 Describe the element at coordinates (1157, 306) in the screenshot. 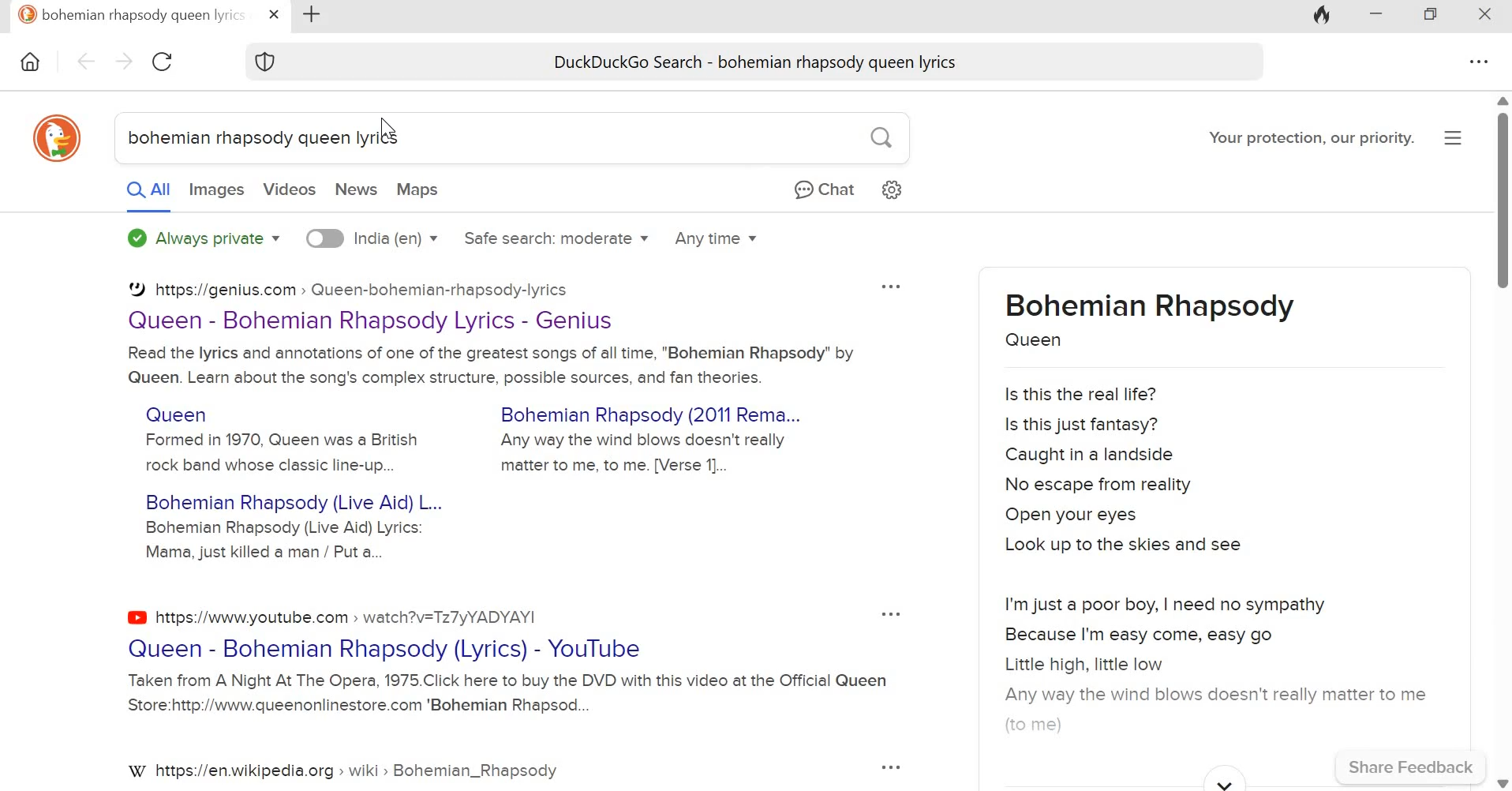

I see `Bohemian Rhapsody` at that location.